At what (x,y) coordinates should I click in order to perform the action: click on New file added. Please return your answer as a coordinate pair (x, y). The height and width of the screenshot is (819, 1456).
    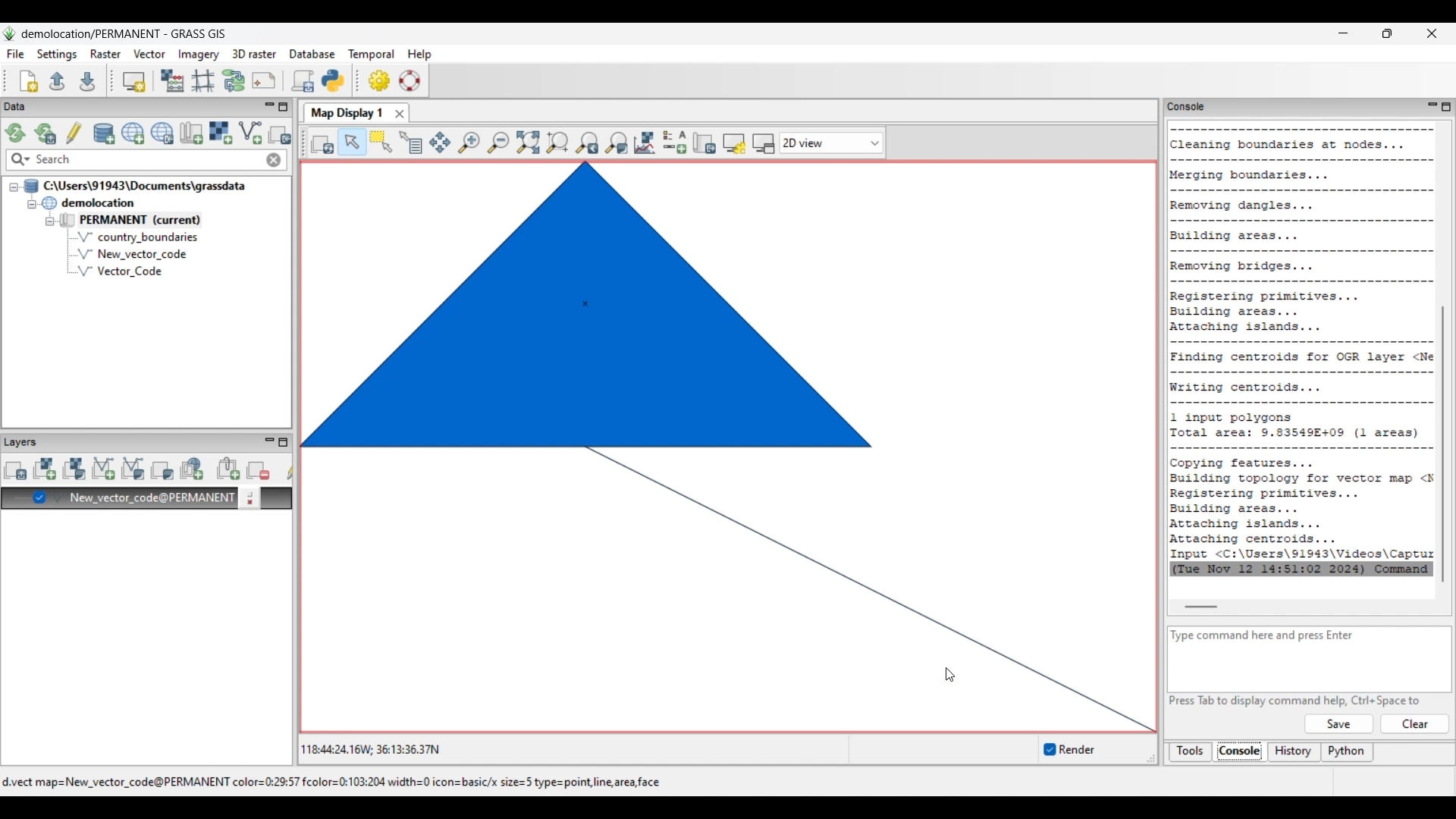
    Looking at the image, I should click on (131, 254).